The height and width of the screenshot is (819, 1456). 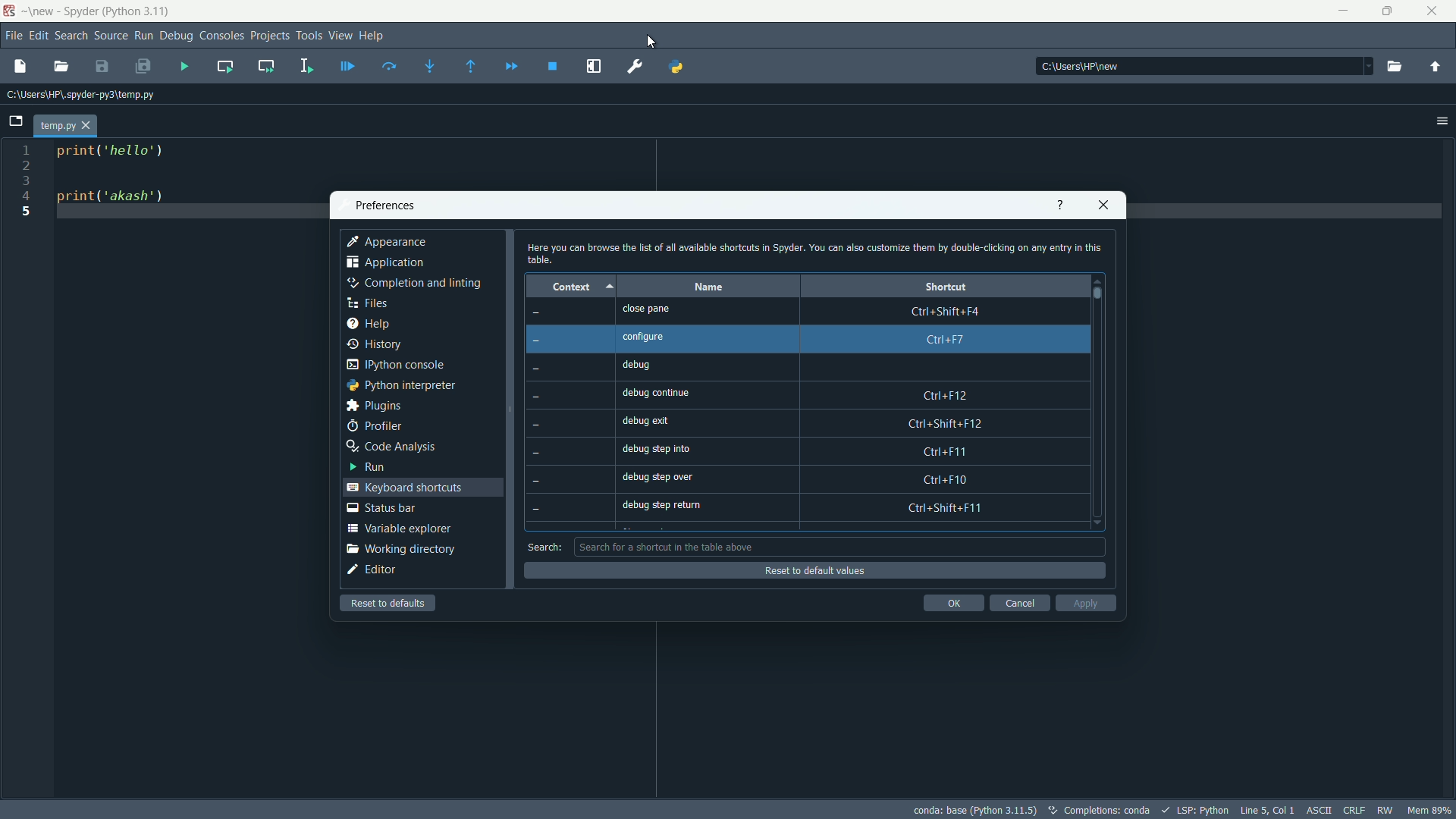 I want to click on status bar, so click(x=381, y=507).